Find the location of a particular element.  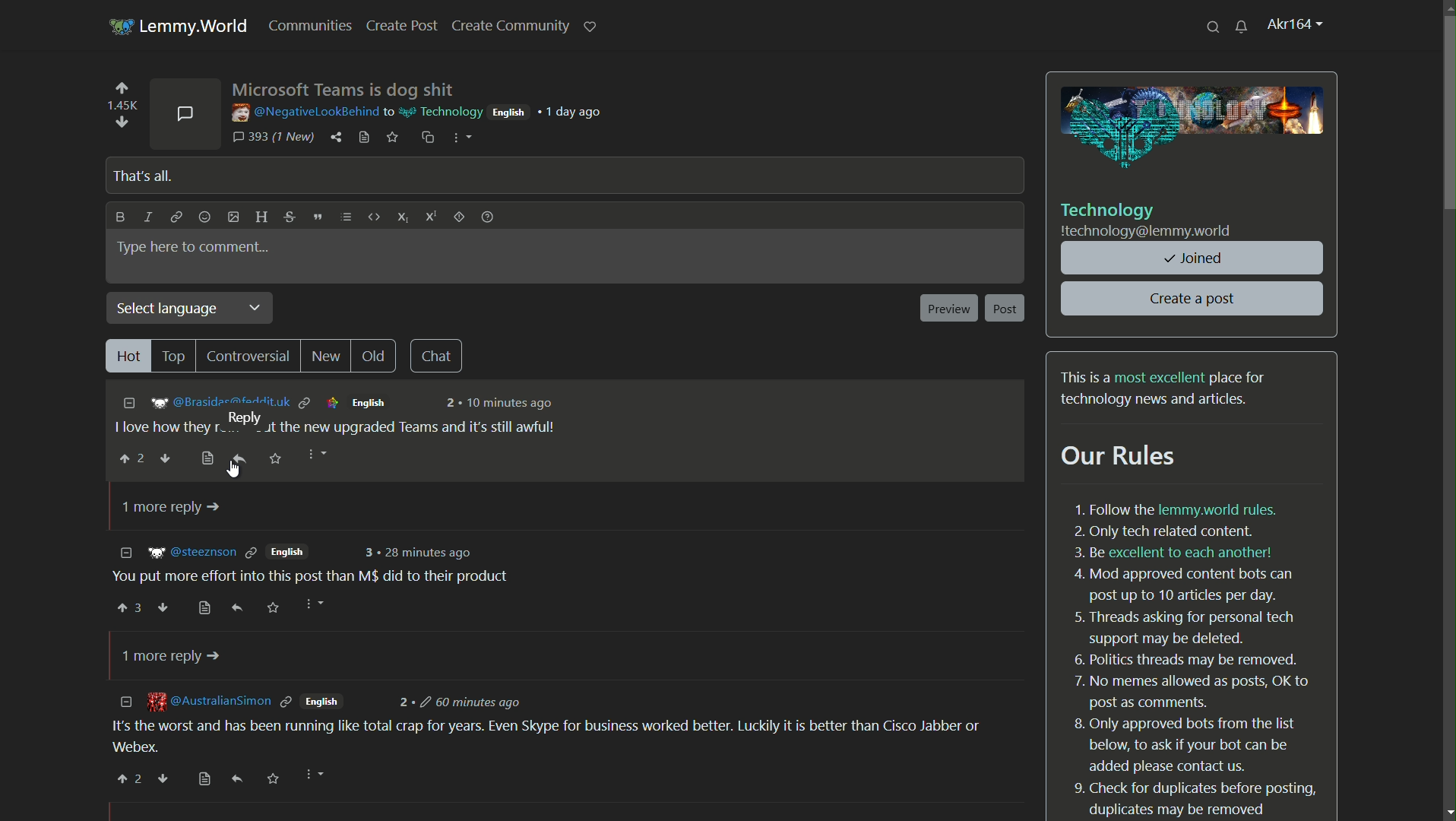

1 day ago is located at coordinates (575, 112).